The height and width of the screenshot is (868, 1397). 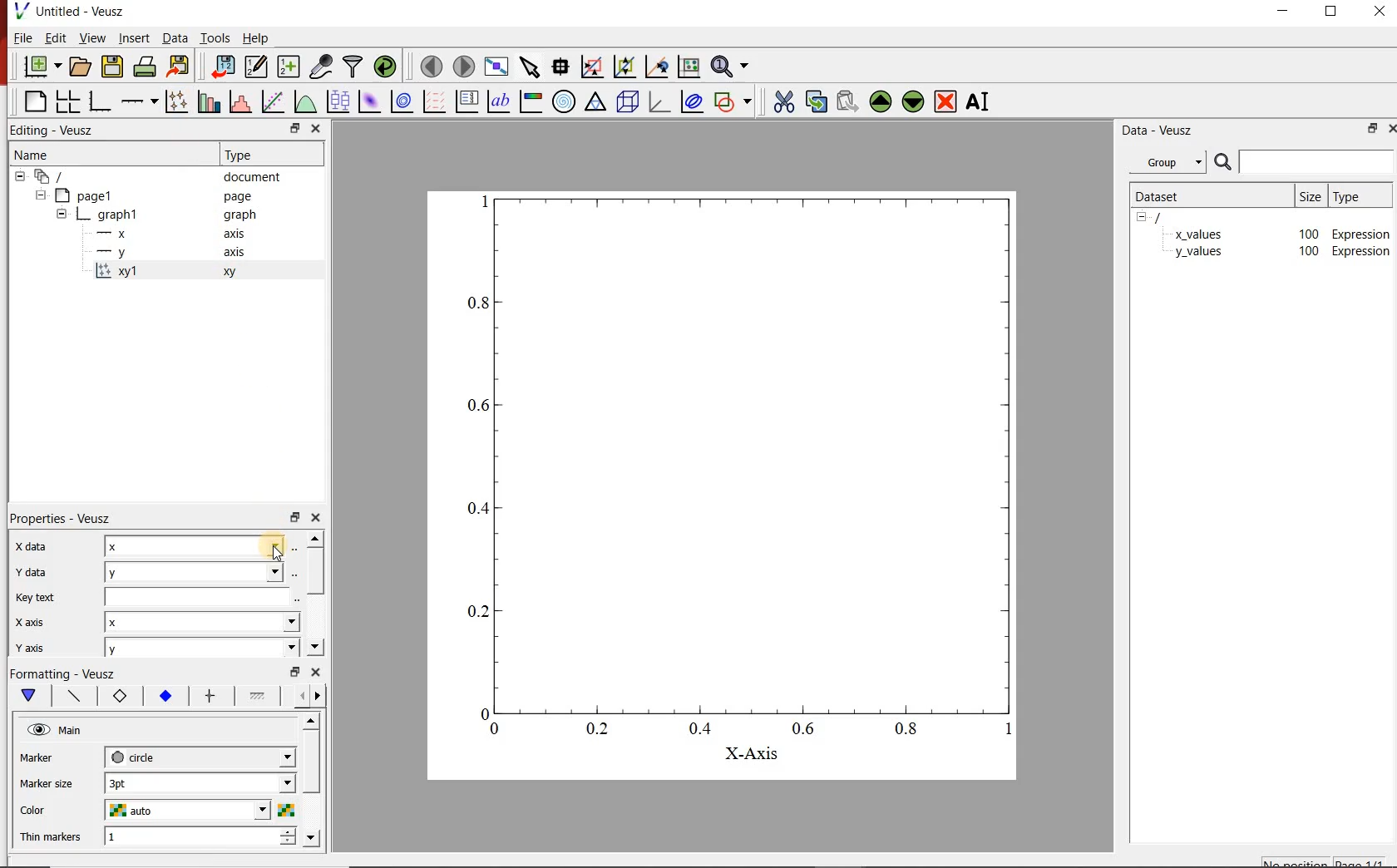 What do you see at coordinates (285, 810) in the screenshot?
I see `colors` at bounding box center [285, 810].